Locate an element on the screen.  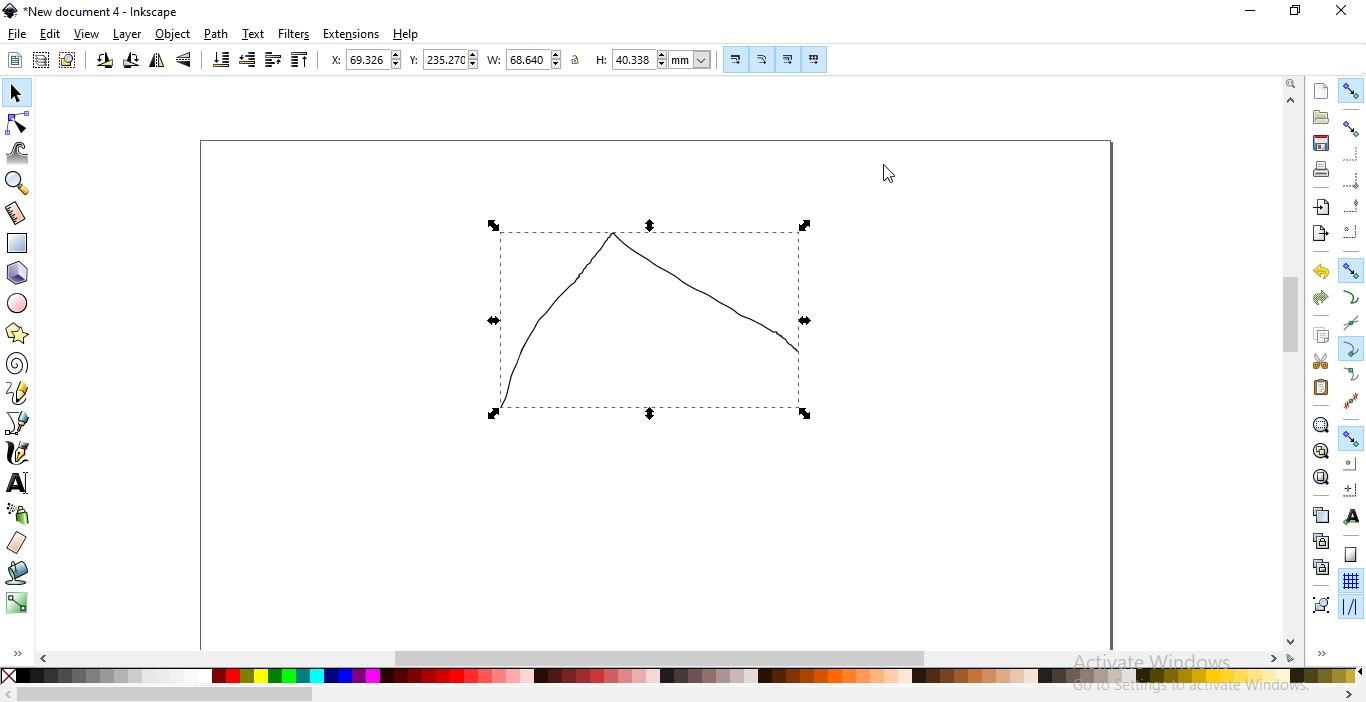
tweak objects by sculpting or painting  is located at coordinates (18, 153).